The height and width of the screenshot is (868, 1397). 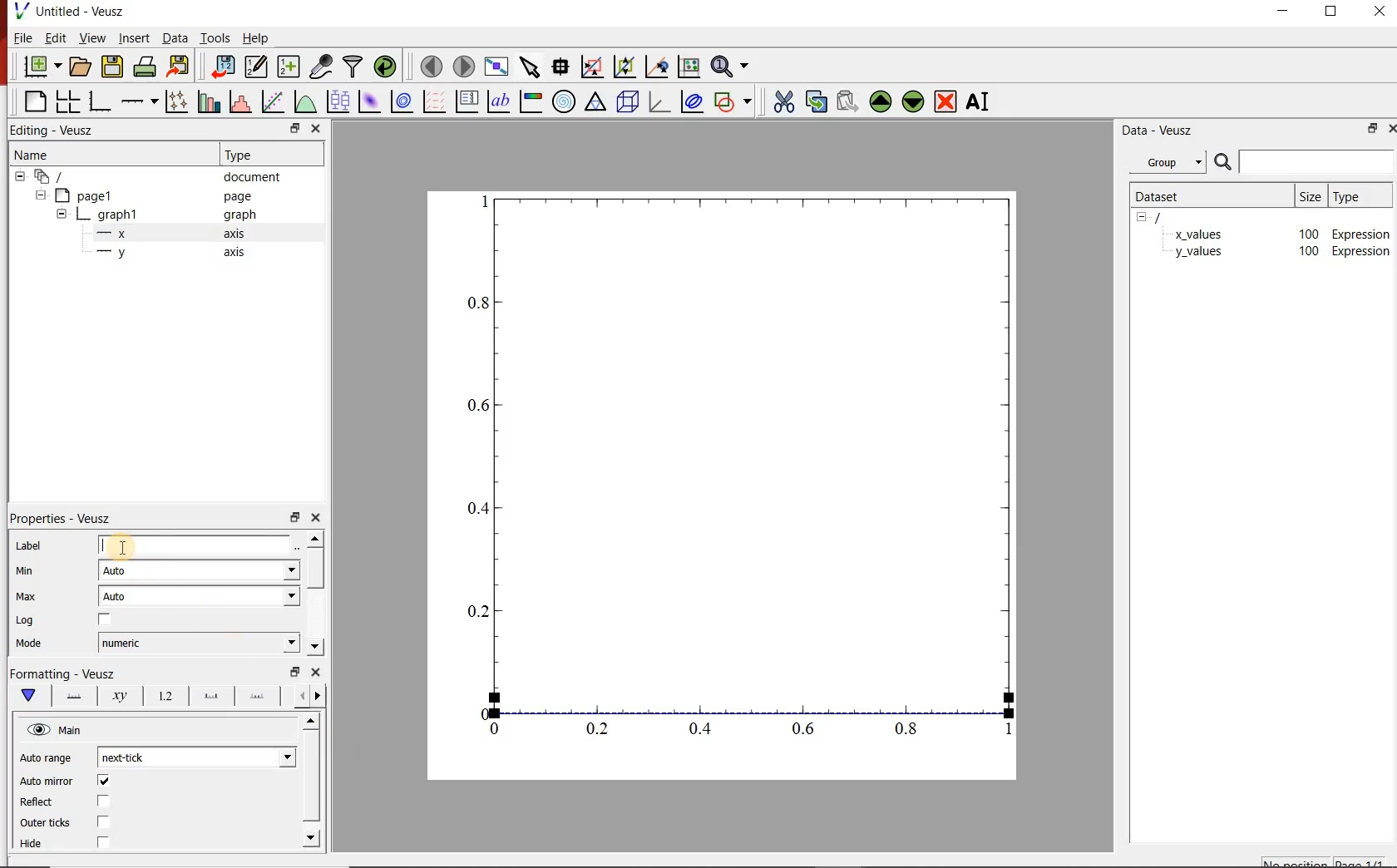 What do you see at coordinates (111, 253) in the screenshot?
I see `—-—y` at bounding box center [111, 253].